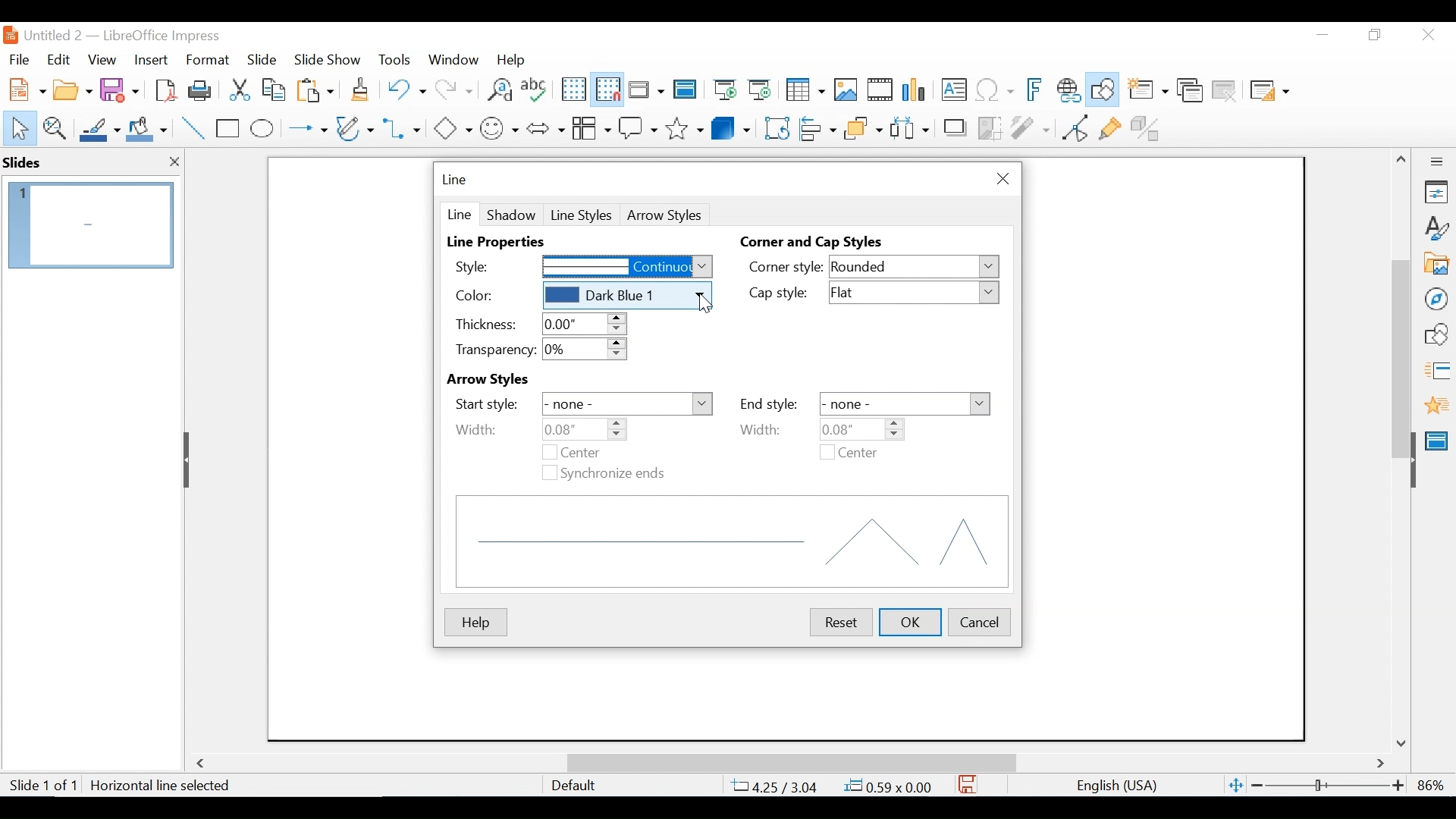  What do you see at coordinates (304, 129) in the screenshot?
I see `Lines and Arrows` at bounding box center [304, 129].